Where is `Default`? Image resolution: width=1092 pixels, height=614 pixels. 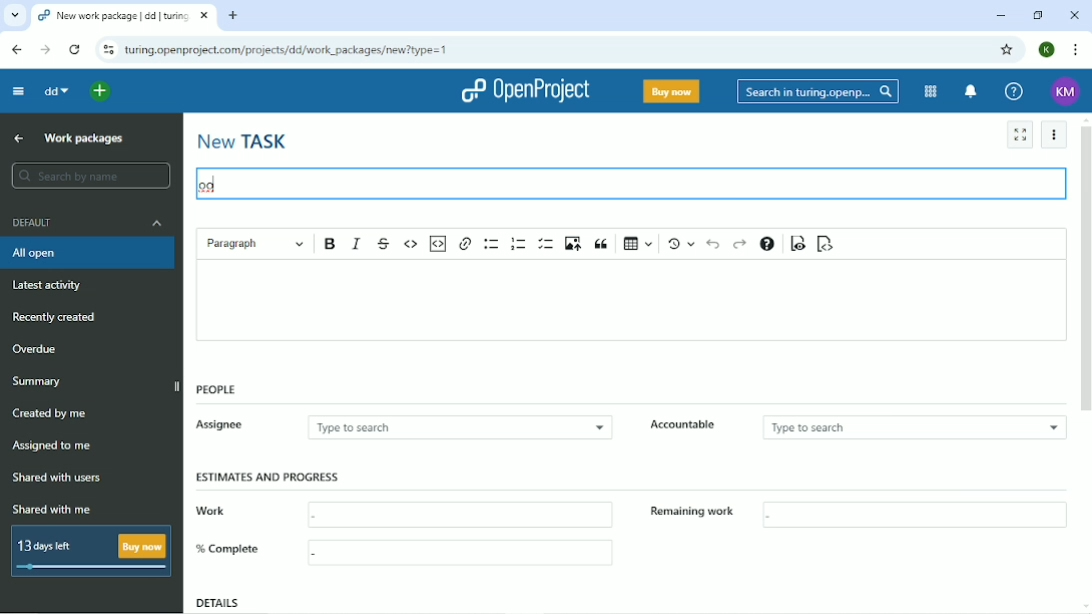
Default is located at coordinates (85, 226).